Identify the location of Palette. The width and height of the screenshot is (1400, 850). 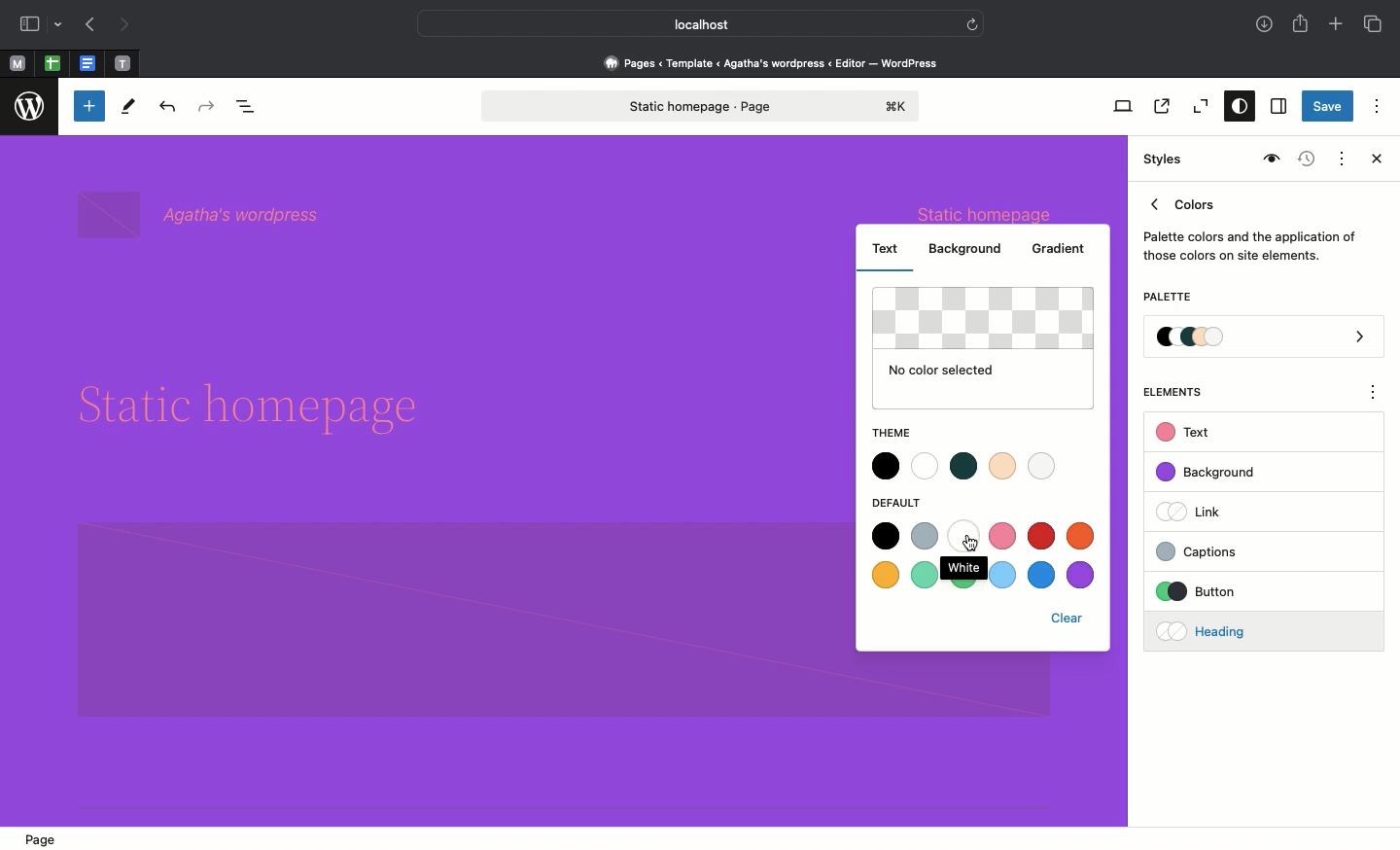
(1265, 338).